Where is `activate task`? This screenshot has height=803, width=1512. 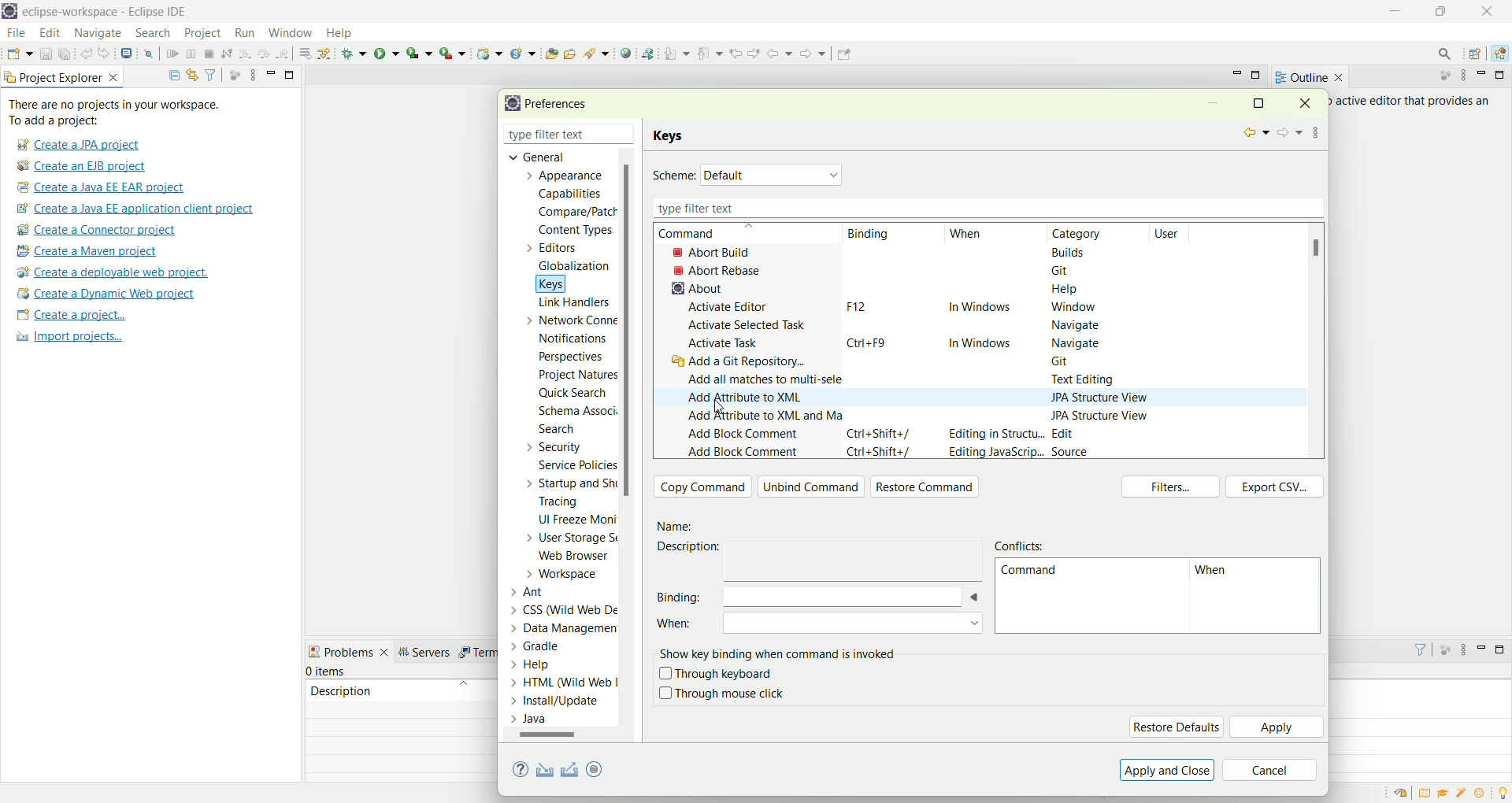 activate task is located at coordinates (724, 344).